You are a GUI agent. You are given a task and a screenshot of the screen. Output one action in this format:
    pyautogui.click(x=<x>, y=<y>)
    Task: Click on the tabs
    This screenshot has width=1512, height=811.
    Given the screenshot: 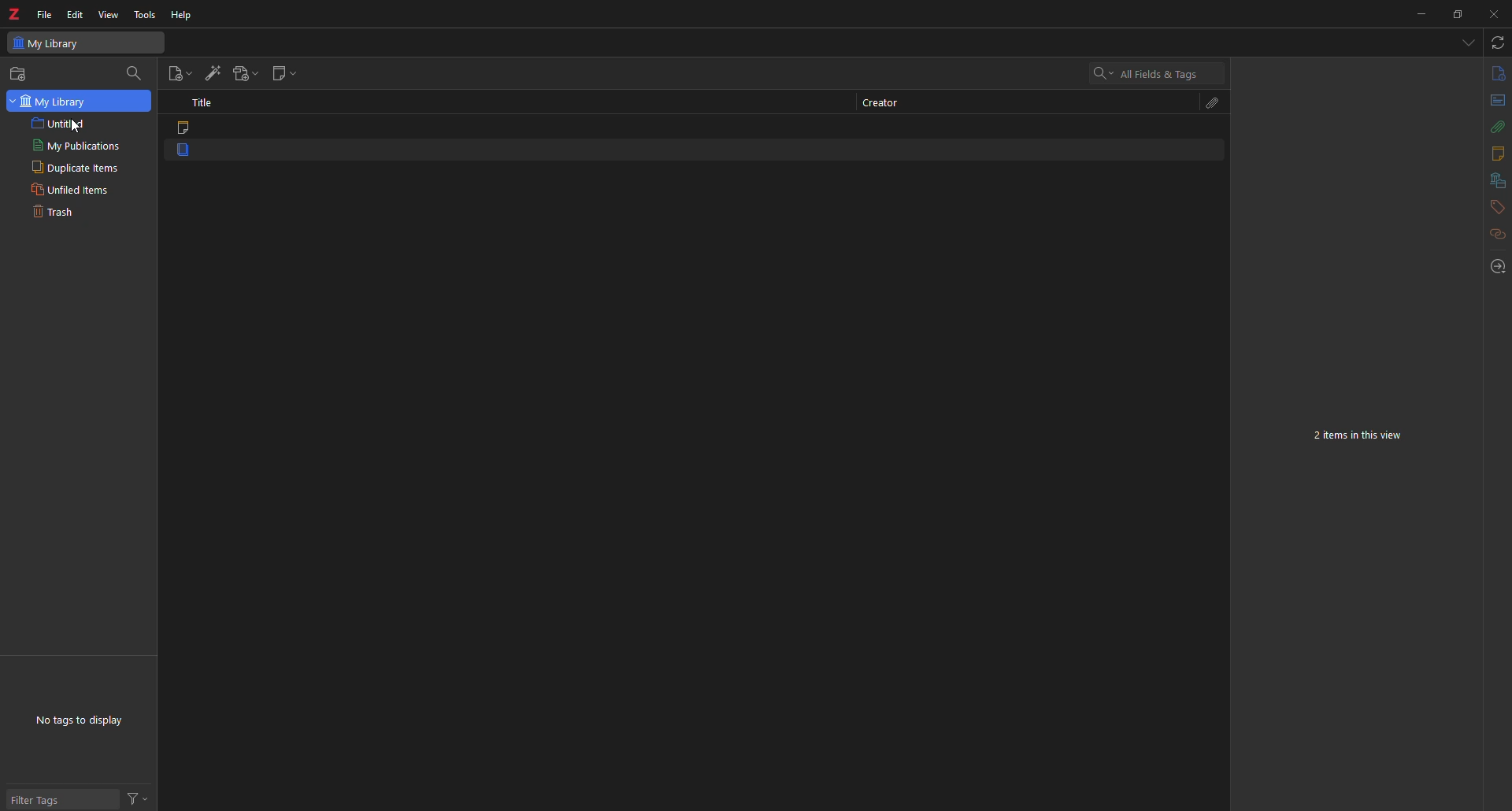 What is the action you would take?
    pyautogui.click(x=1466, y=41)
    